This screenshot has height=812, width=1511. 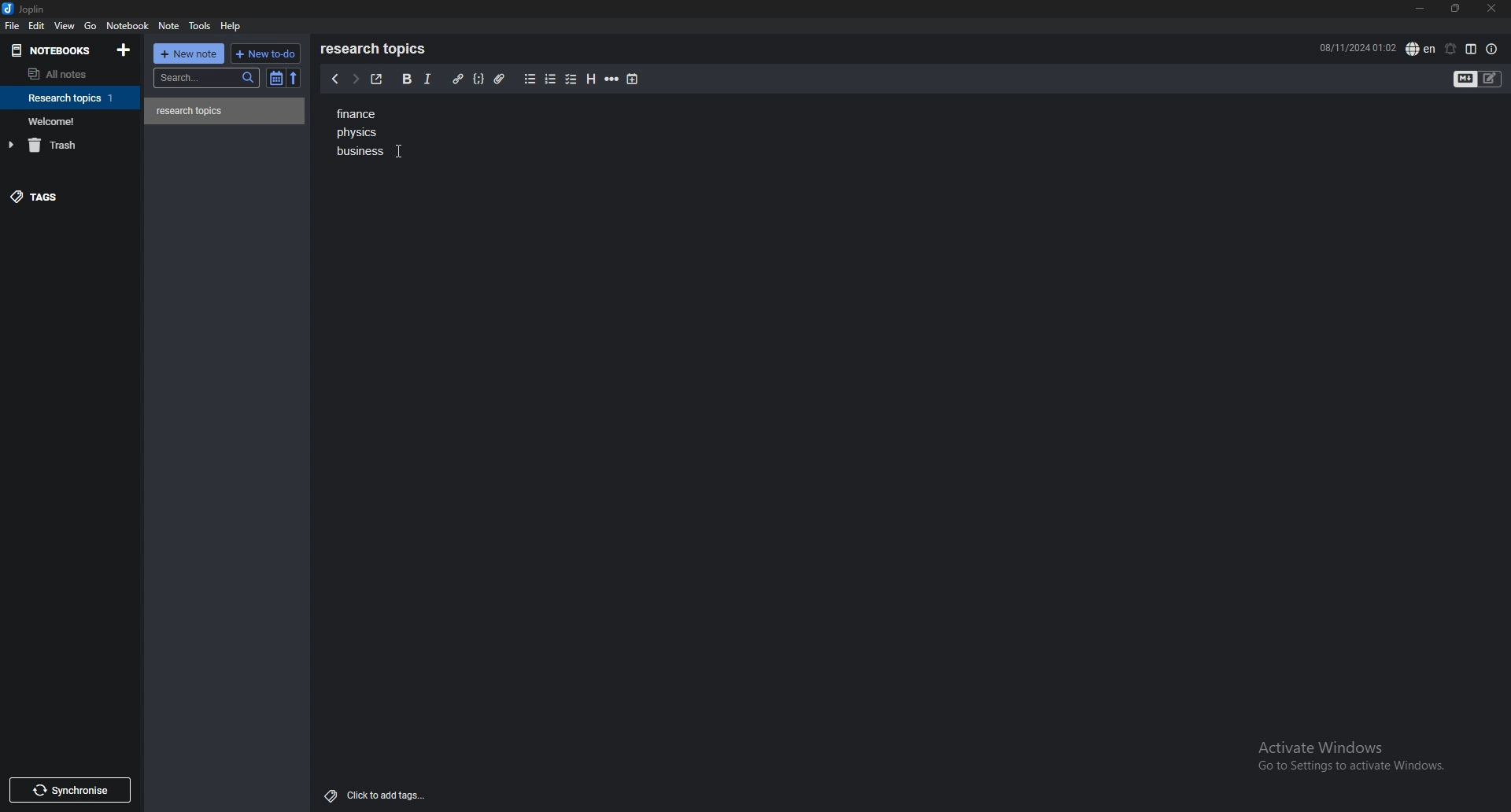 I want to click on spell check, so click(x=1420, y=48).